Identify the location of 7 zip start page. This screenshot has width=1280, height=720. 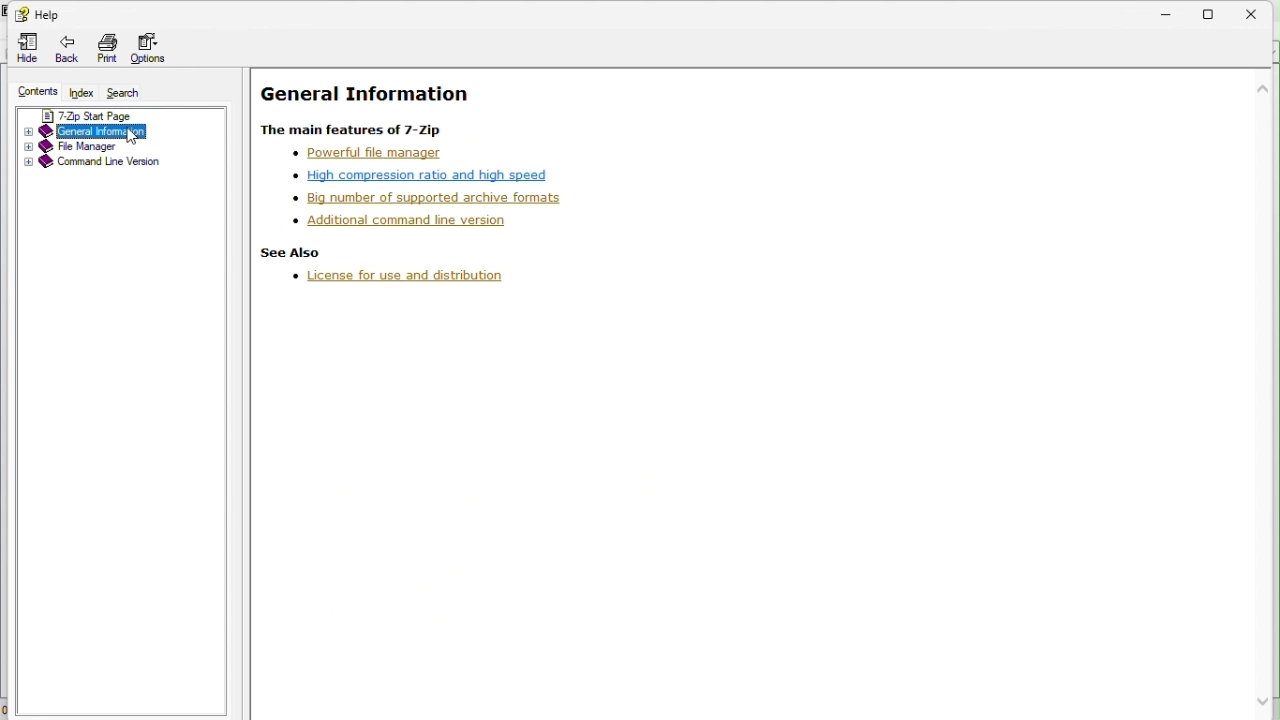
(92, 116).